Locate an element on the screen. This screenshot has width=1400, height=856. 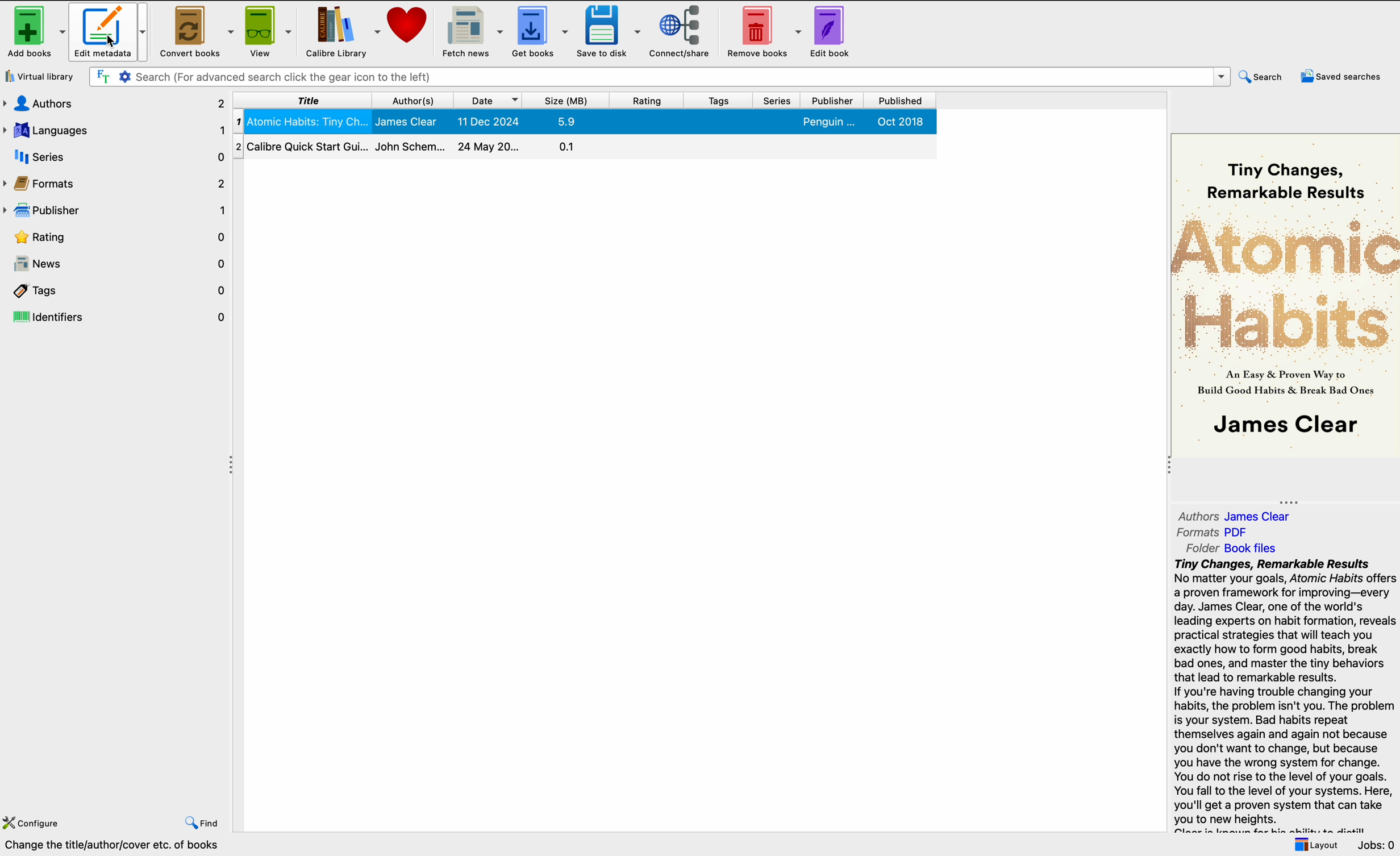
author(s) is located at coordinates (414, 100).